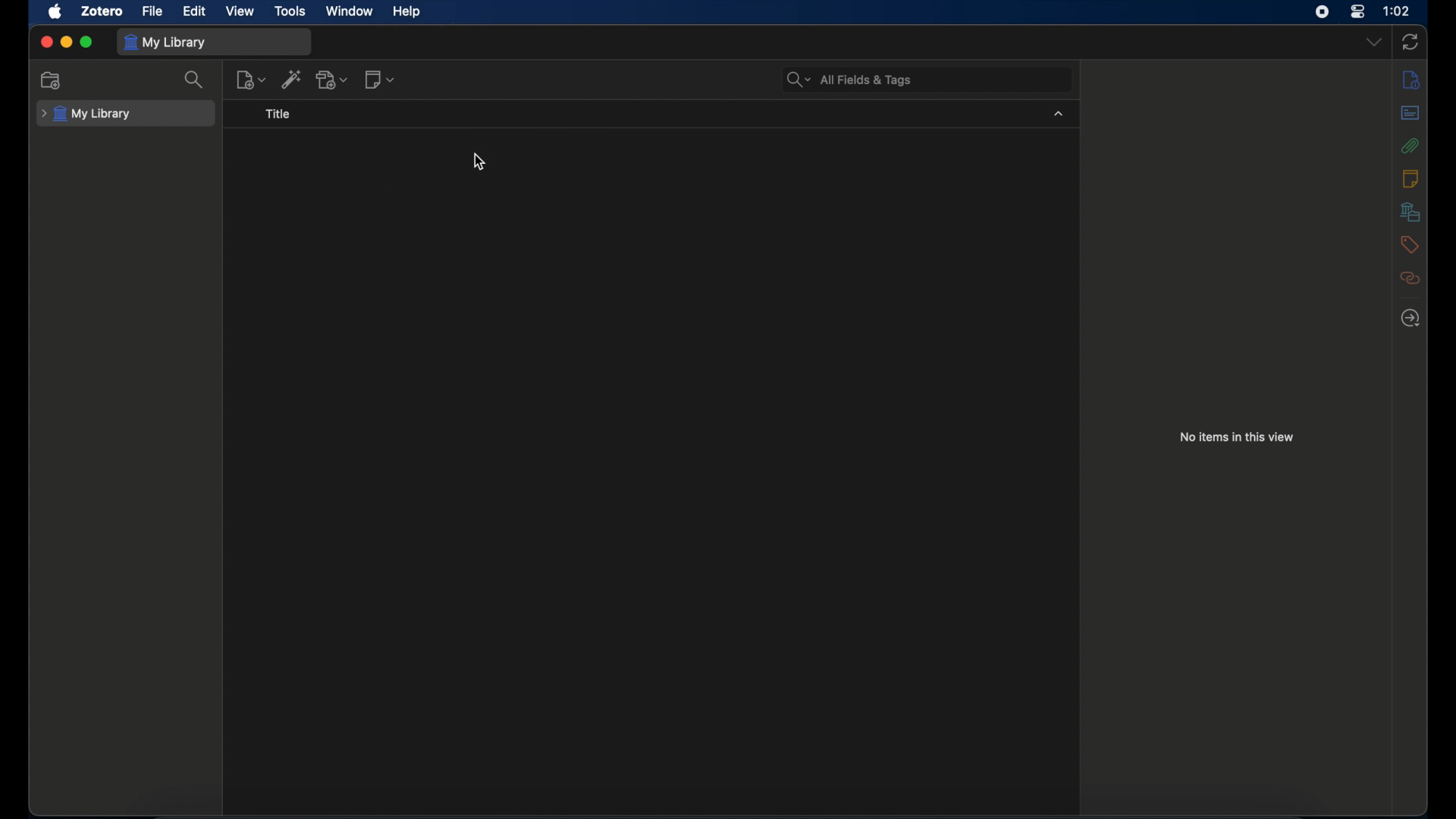 This screenshot has width=1456, height=819. Describe the element at coordinates (847, 80) in the screenshot. I see `search bar` at that location.